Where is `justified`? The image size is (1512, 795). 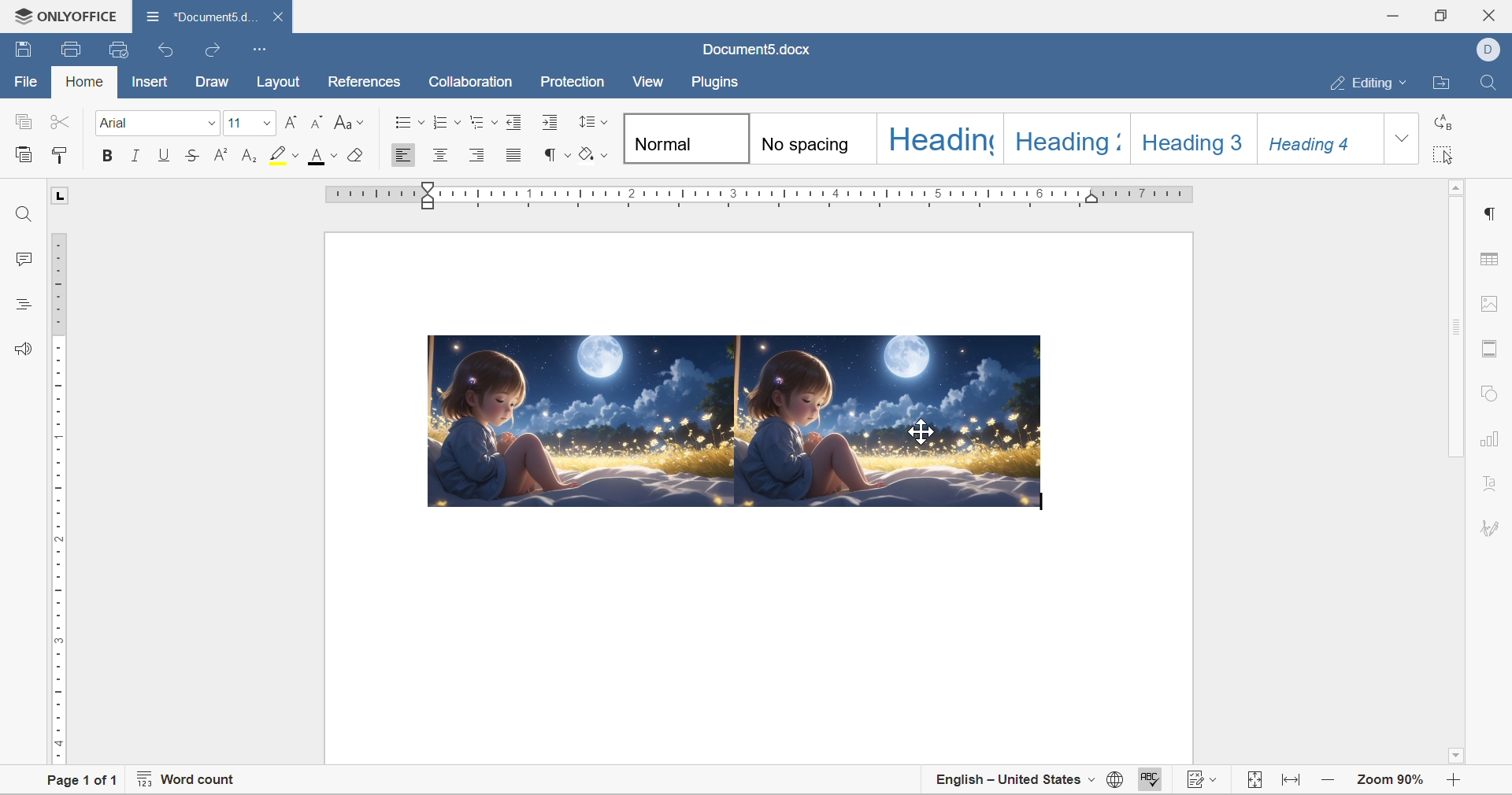 justified is located at coordinates (515, 155).